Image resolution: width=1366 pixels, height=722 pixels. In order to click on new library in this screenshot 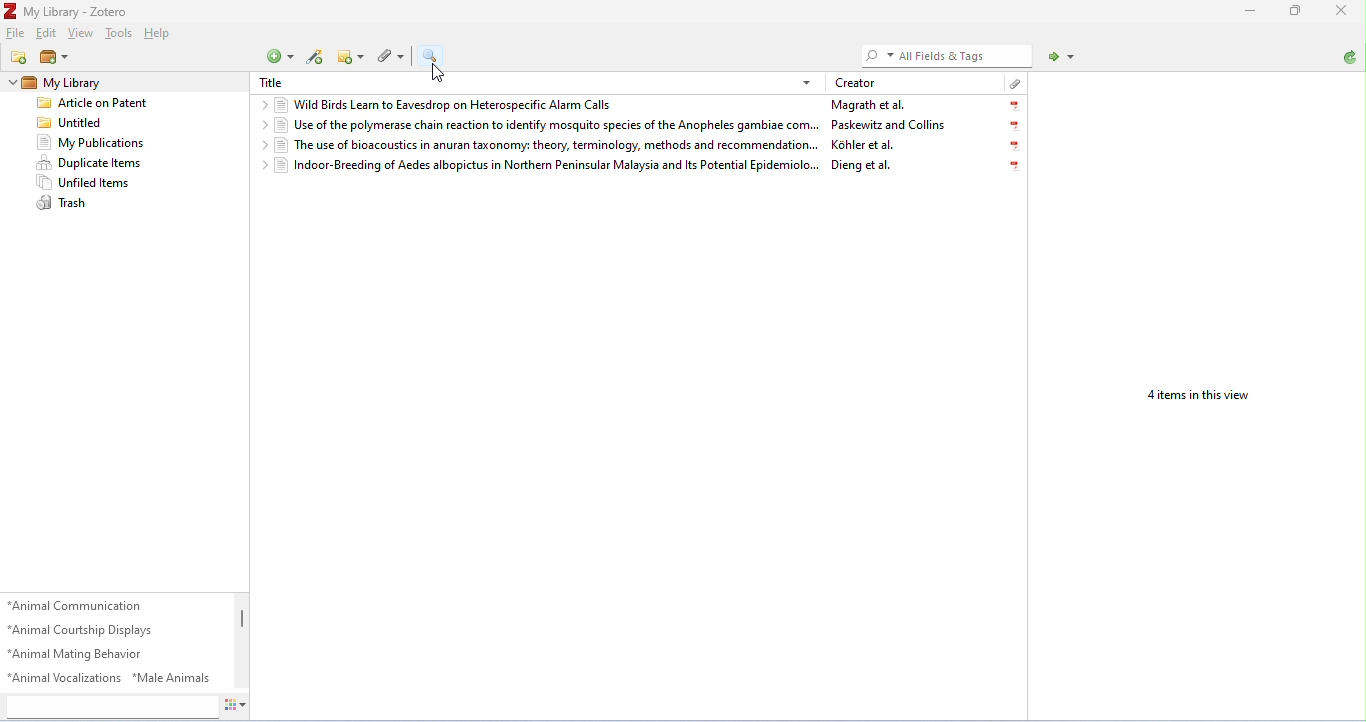, I will do `click(56, 59)`.